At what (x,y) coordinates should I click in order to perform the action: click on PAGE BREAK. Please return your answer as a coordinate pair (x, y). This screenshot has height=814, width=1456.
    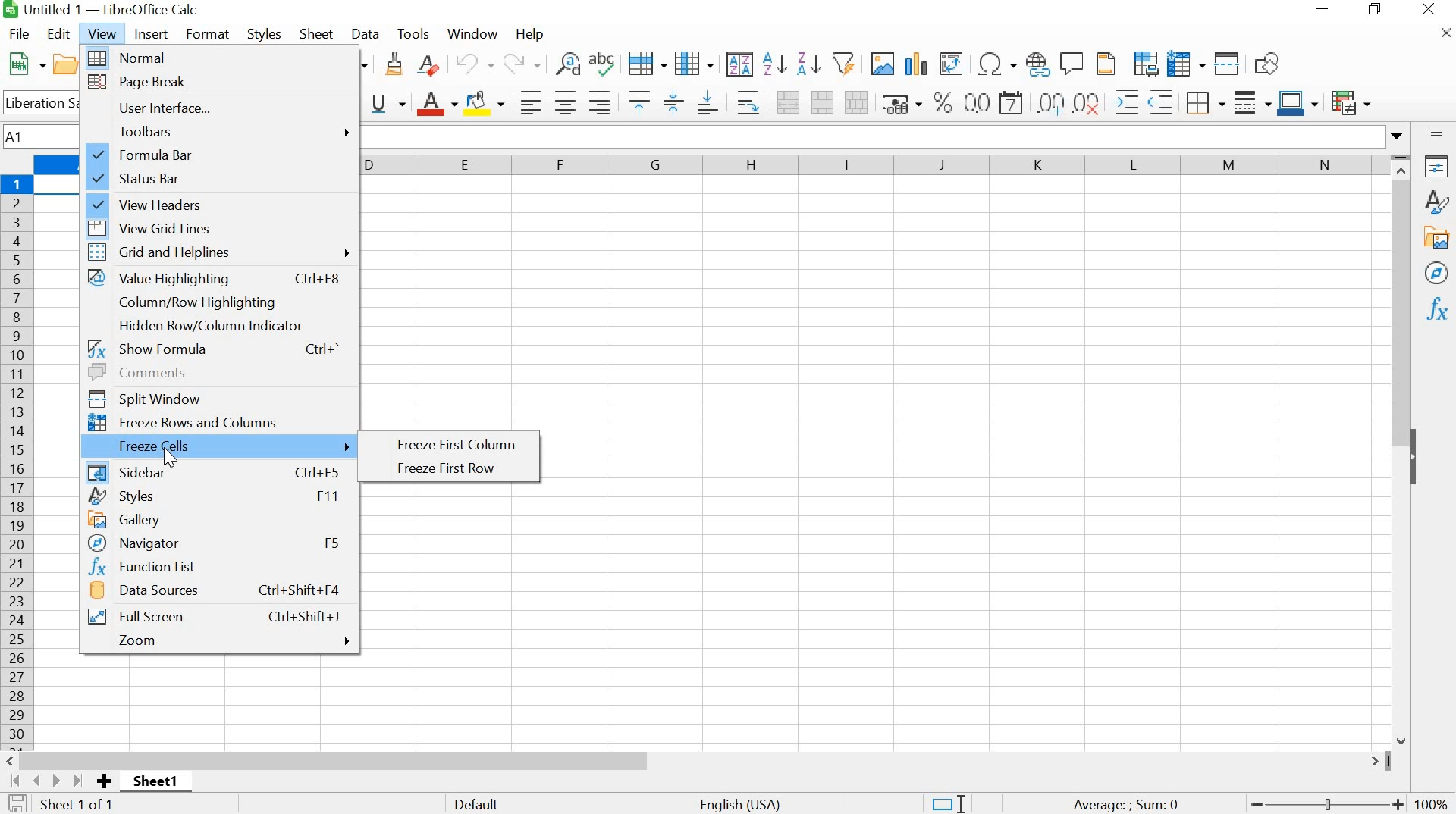
    Looking at the image, I should click on (221, 83).